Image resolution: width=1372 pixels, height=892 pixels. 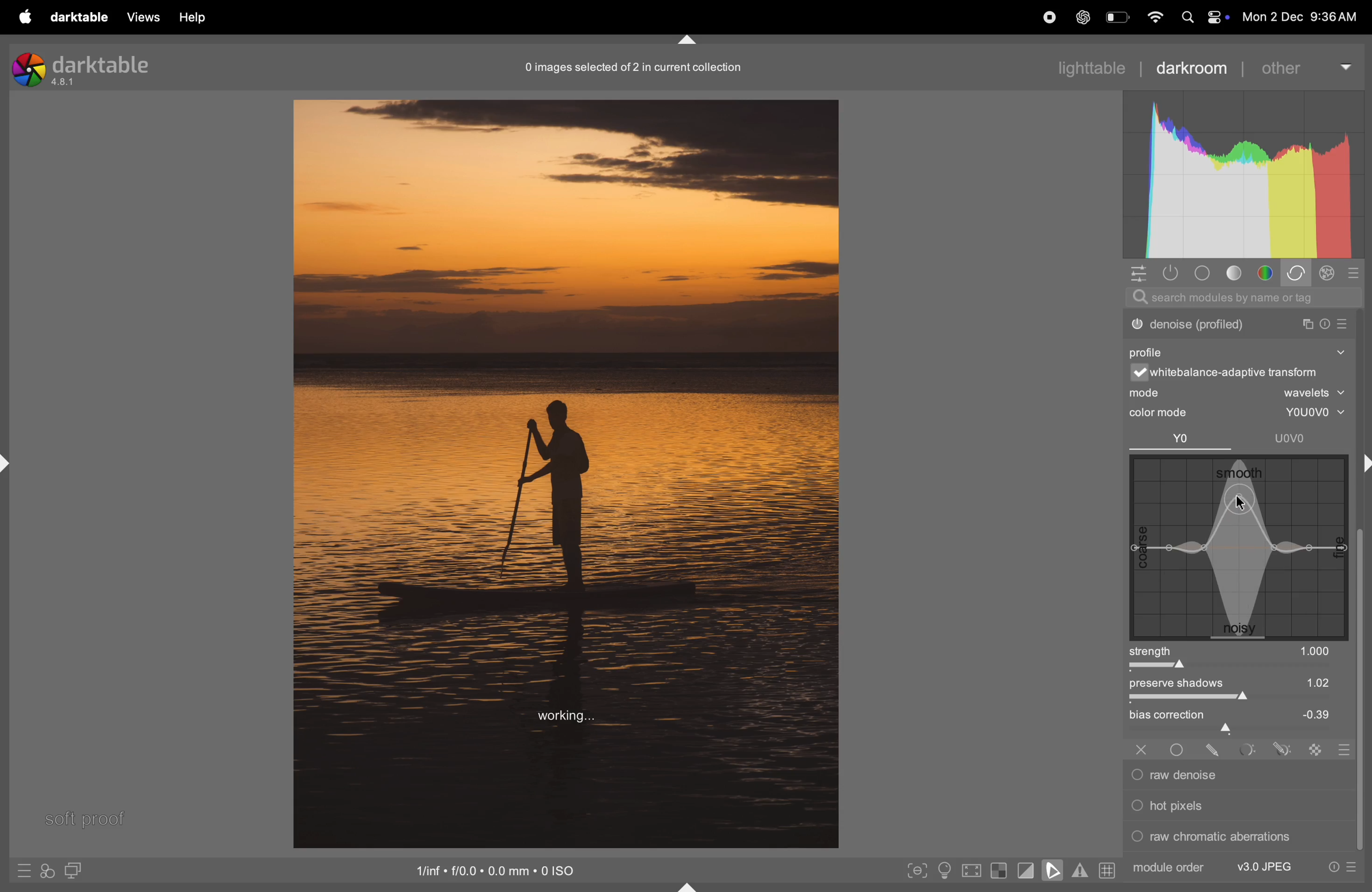 I want to click on darktable, so click(x=77, y=17).